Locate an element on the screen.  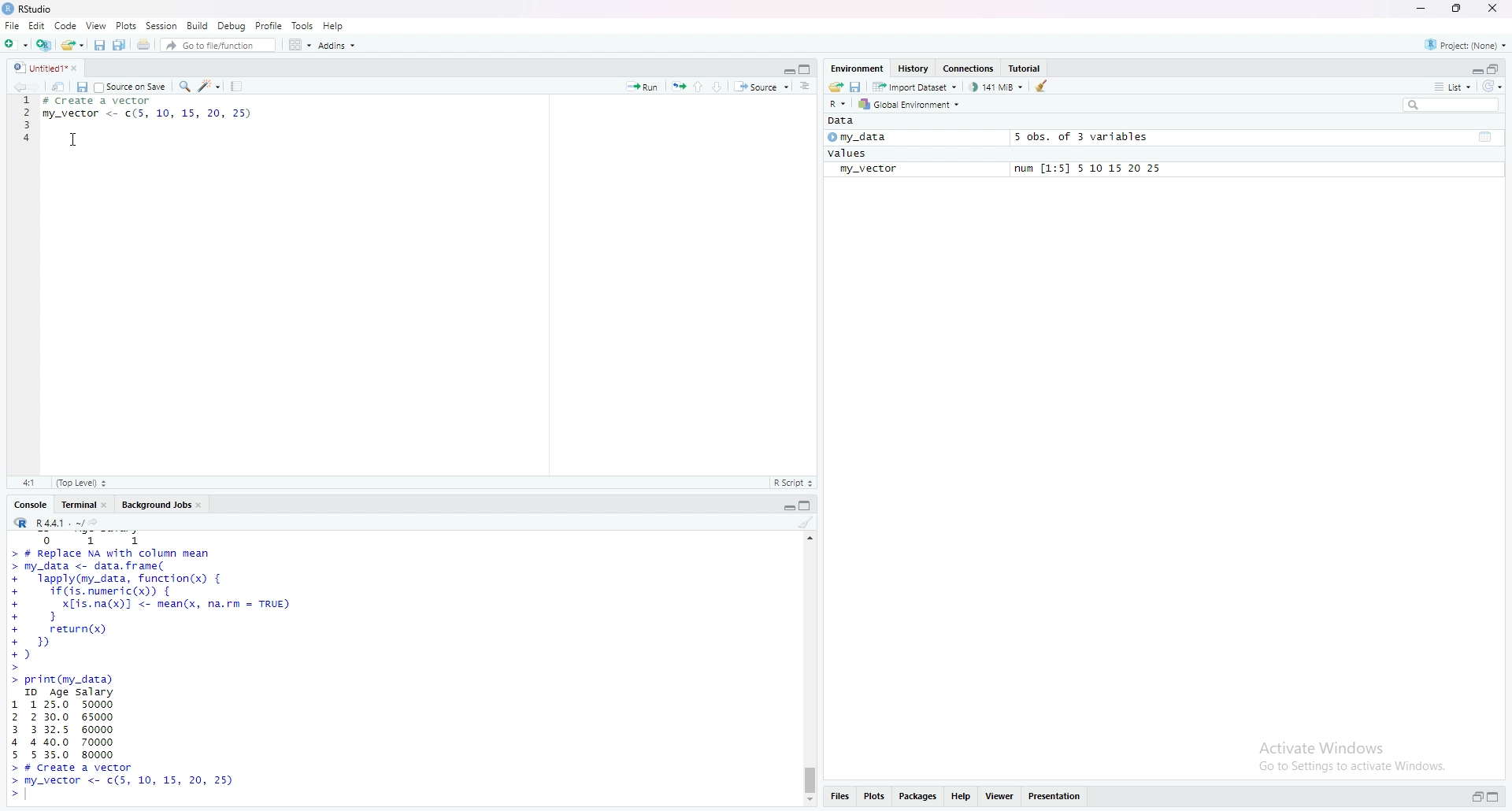
search is located at coordinates (1448, 106).